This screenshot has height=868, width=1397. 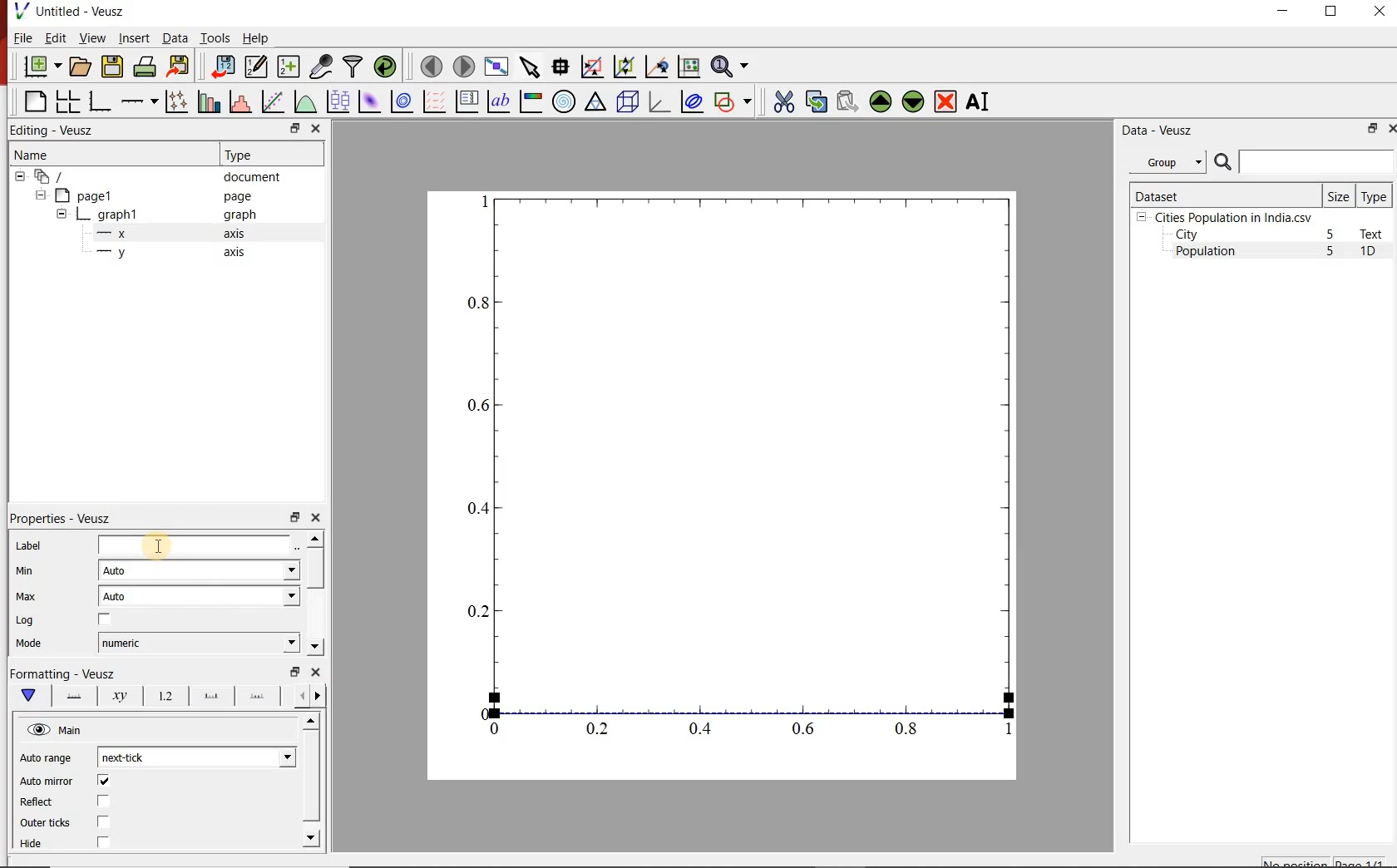 I want to click on scrollbar, so click(x=313, y=782).